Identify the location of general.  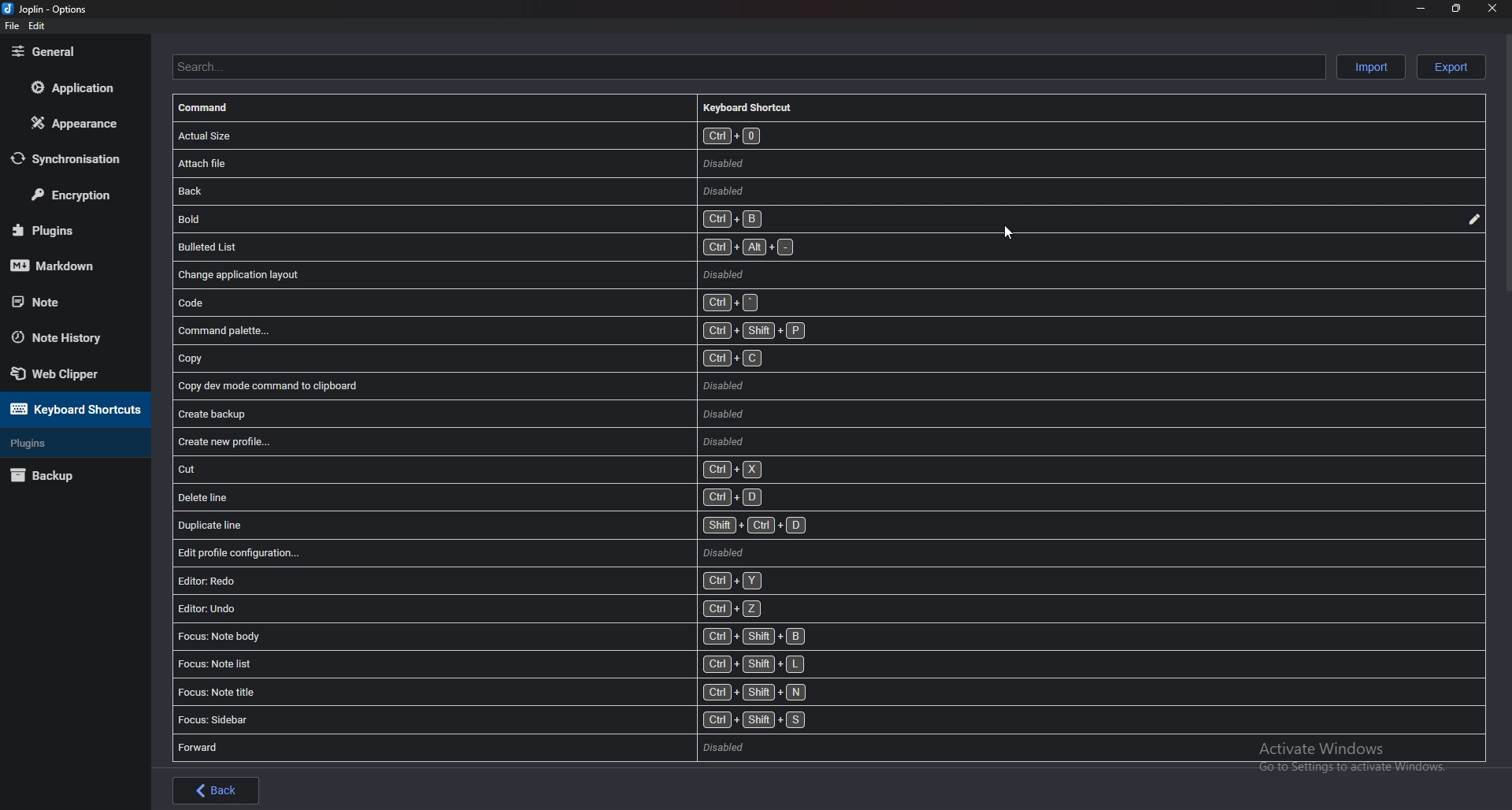
(71, 51).